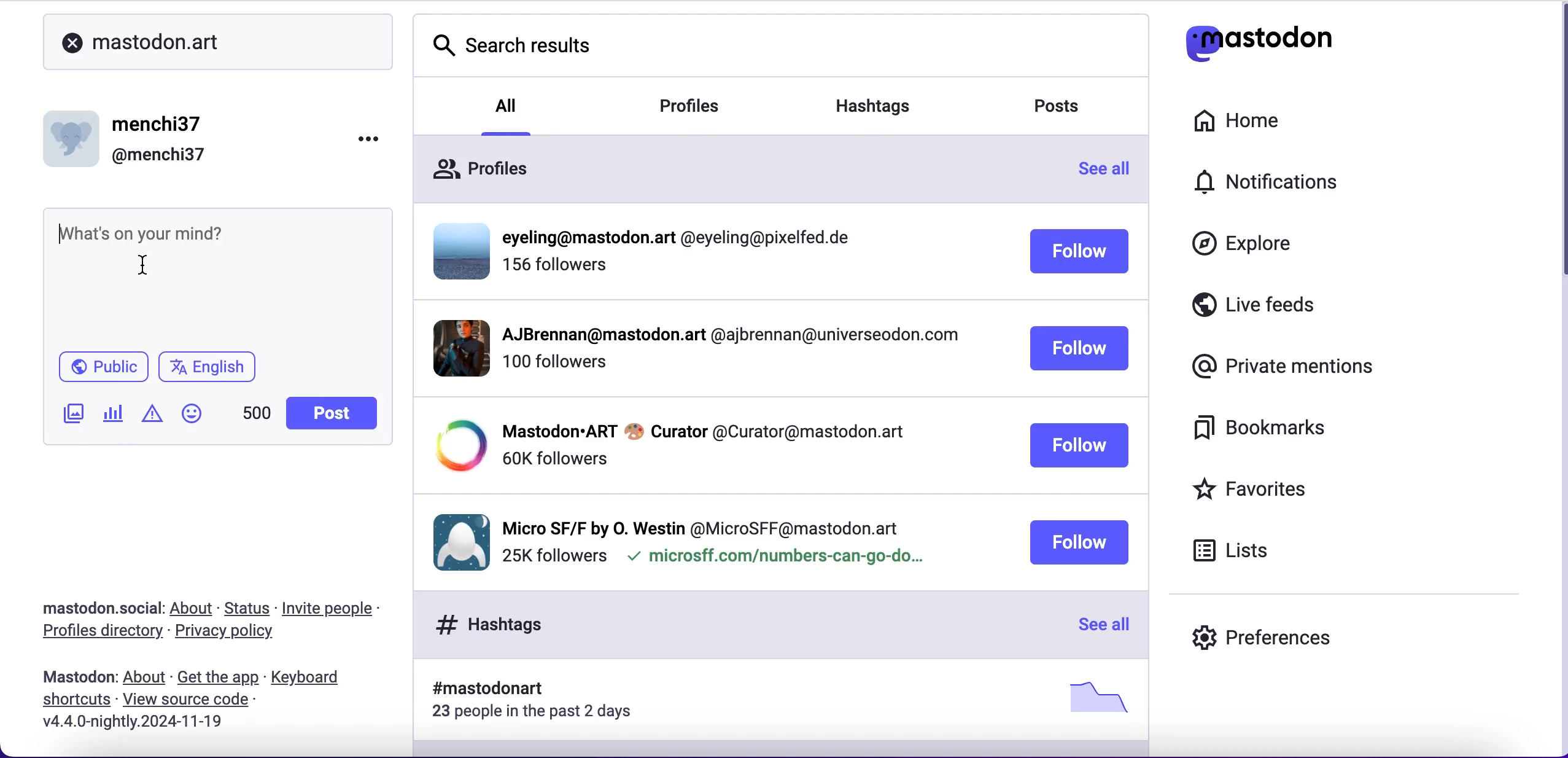  Describe the element at coordinates (483, 624) in the screenshot. I see `hashtags` at that location.